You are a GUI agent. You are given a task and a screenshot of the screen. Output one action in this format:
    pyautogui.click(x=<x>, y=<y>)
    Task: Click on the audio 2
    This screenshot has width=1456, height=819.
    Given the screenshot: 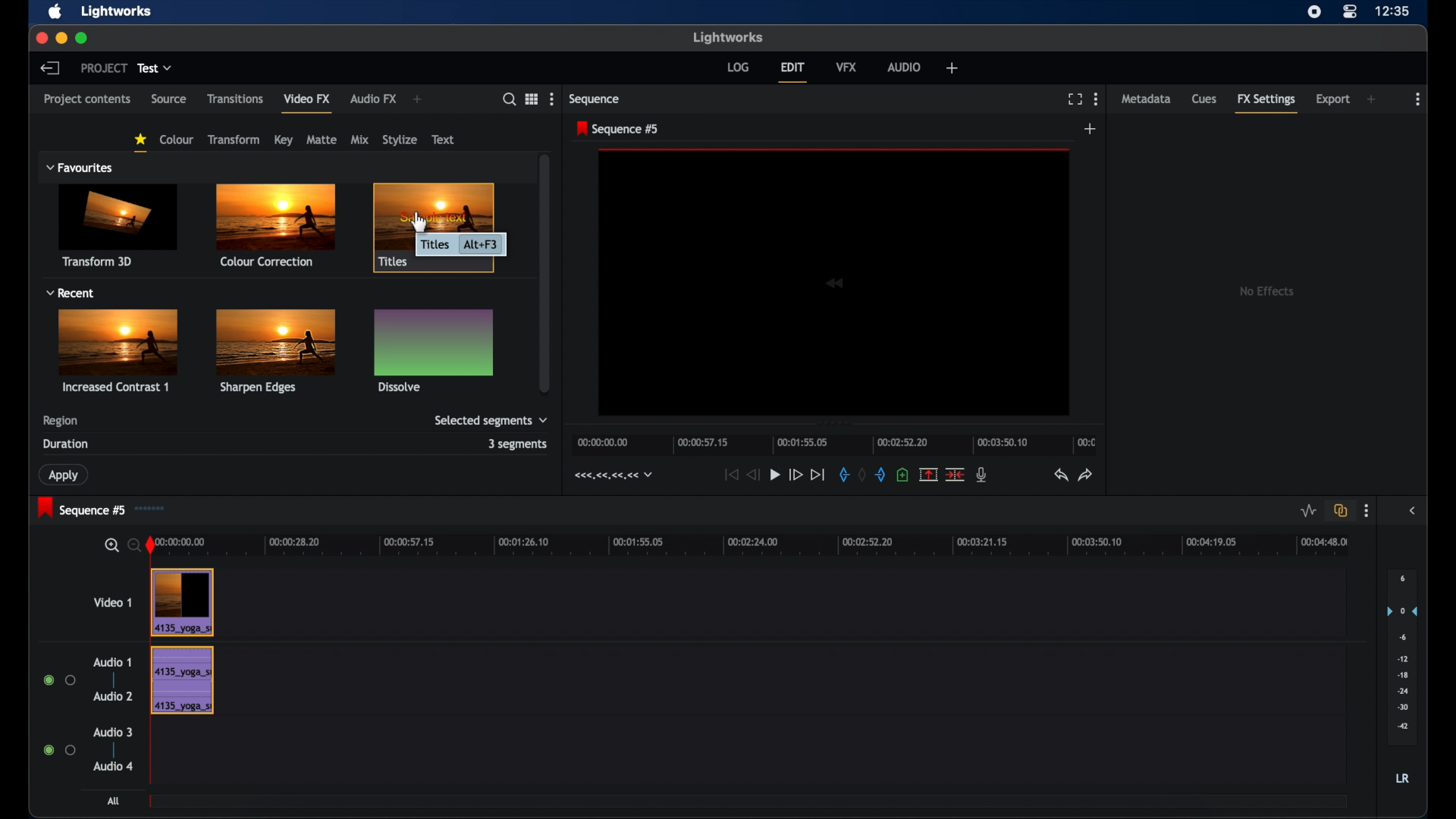 What is the action you would take?
    pyautogui.click(x=112, y=696)
    